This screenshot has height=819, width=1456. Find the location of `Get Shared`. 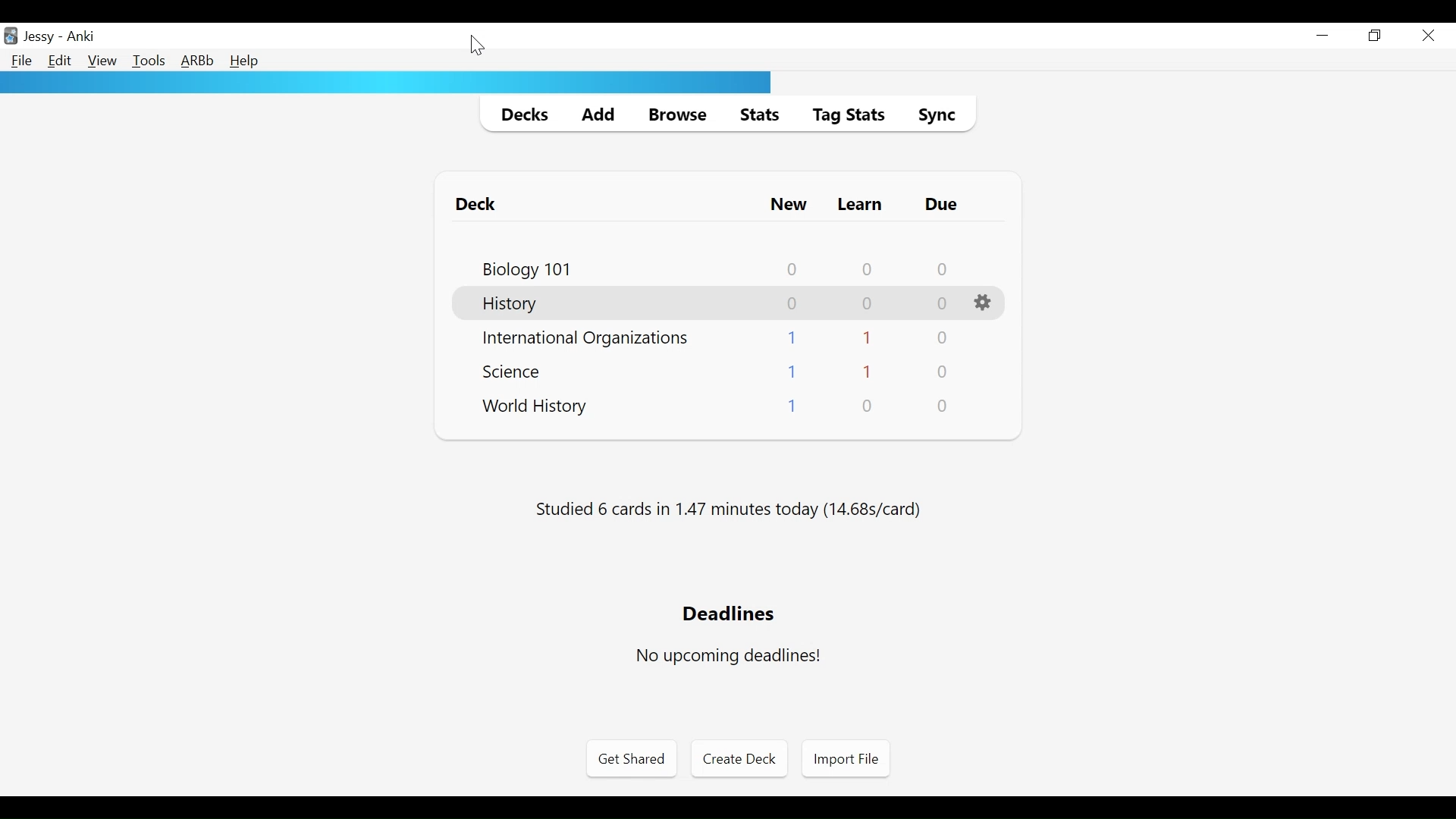

Get Shared is located at coordinates (631, 761).